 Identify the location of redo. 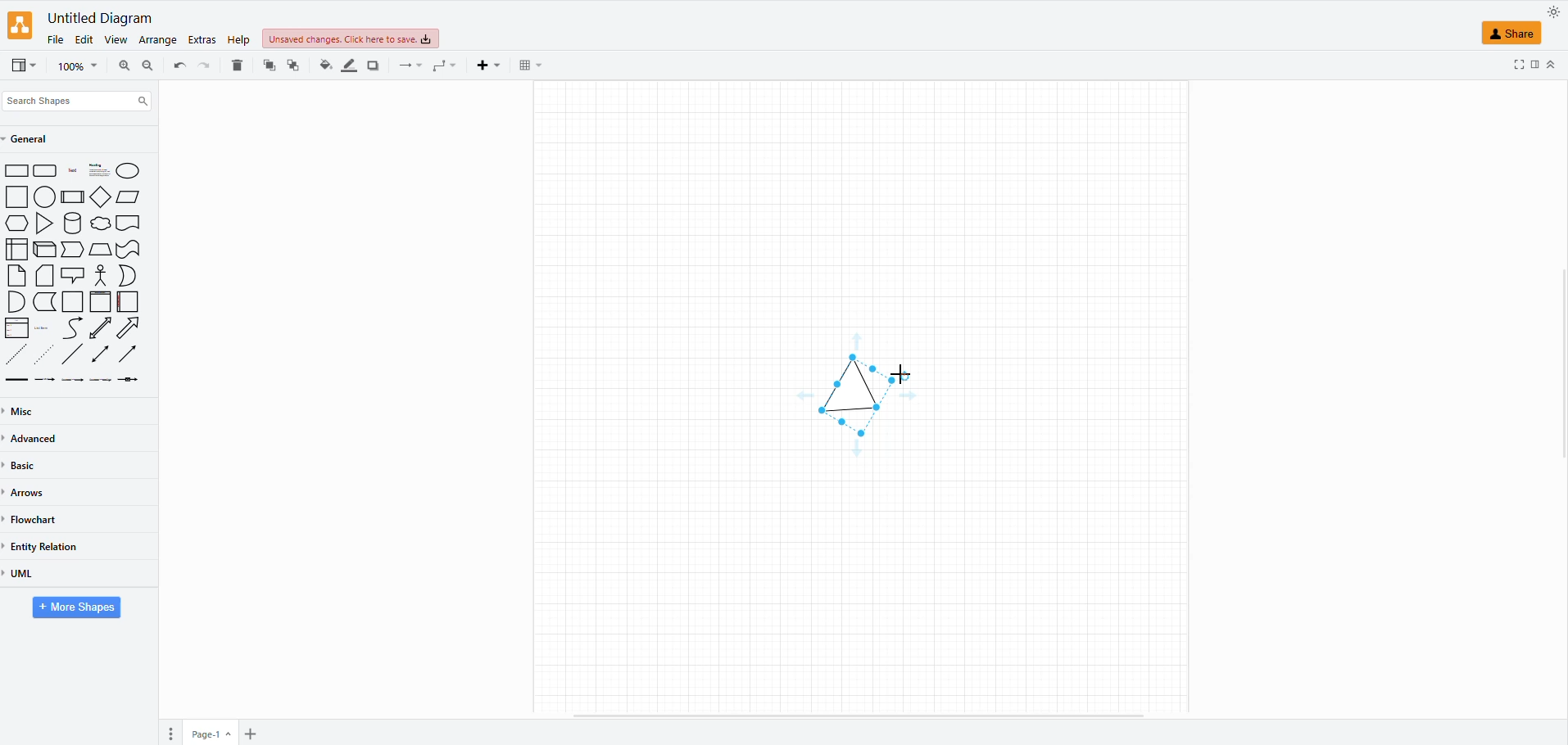
(178, 65).